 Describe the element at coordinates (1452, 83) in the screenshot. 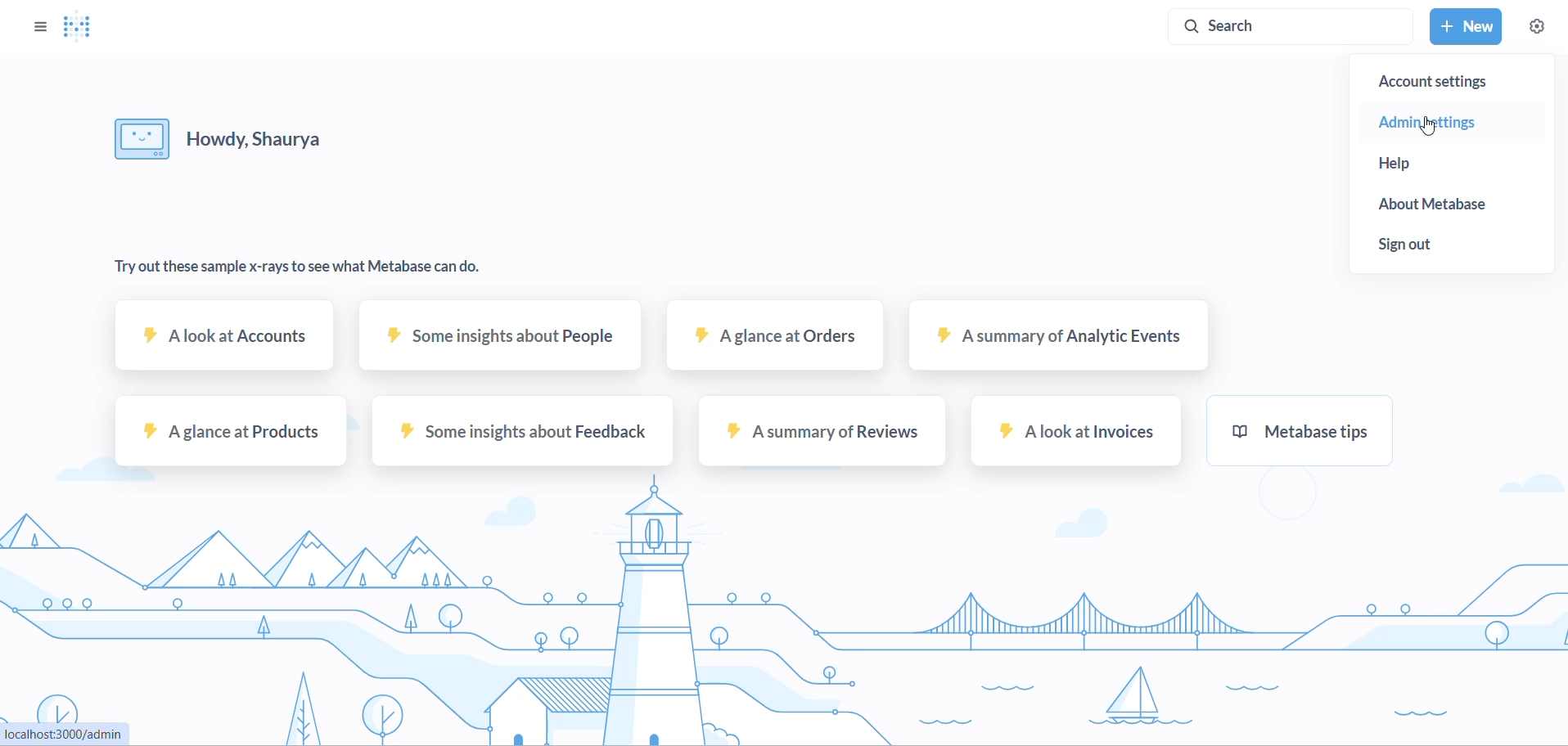

I see `account settings` at that location.